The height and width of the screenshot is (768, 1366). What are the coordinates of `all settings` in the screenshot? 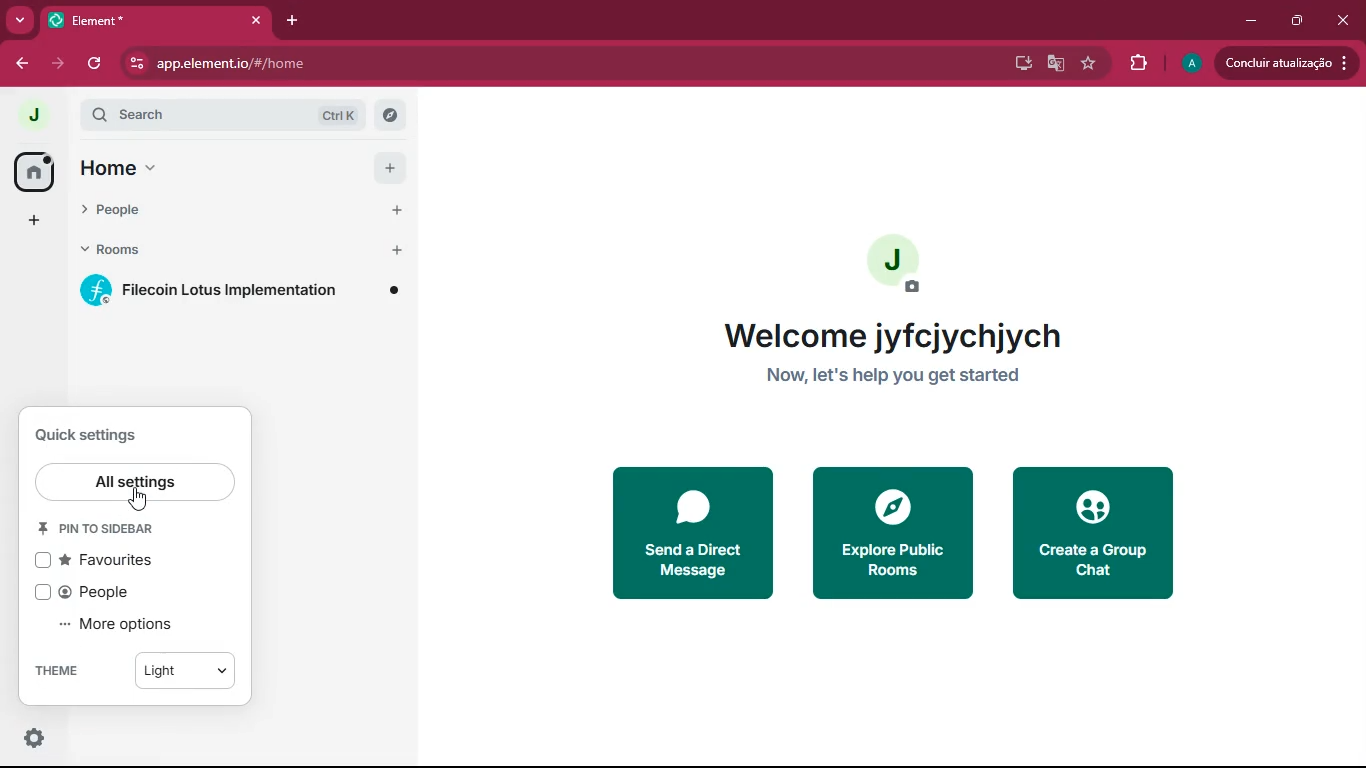 It's located at (135, 482).